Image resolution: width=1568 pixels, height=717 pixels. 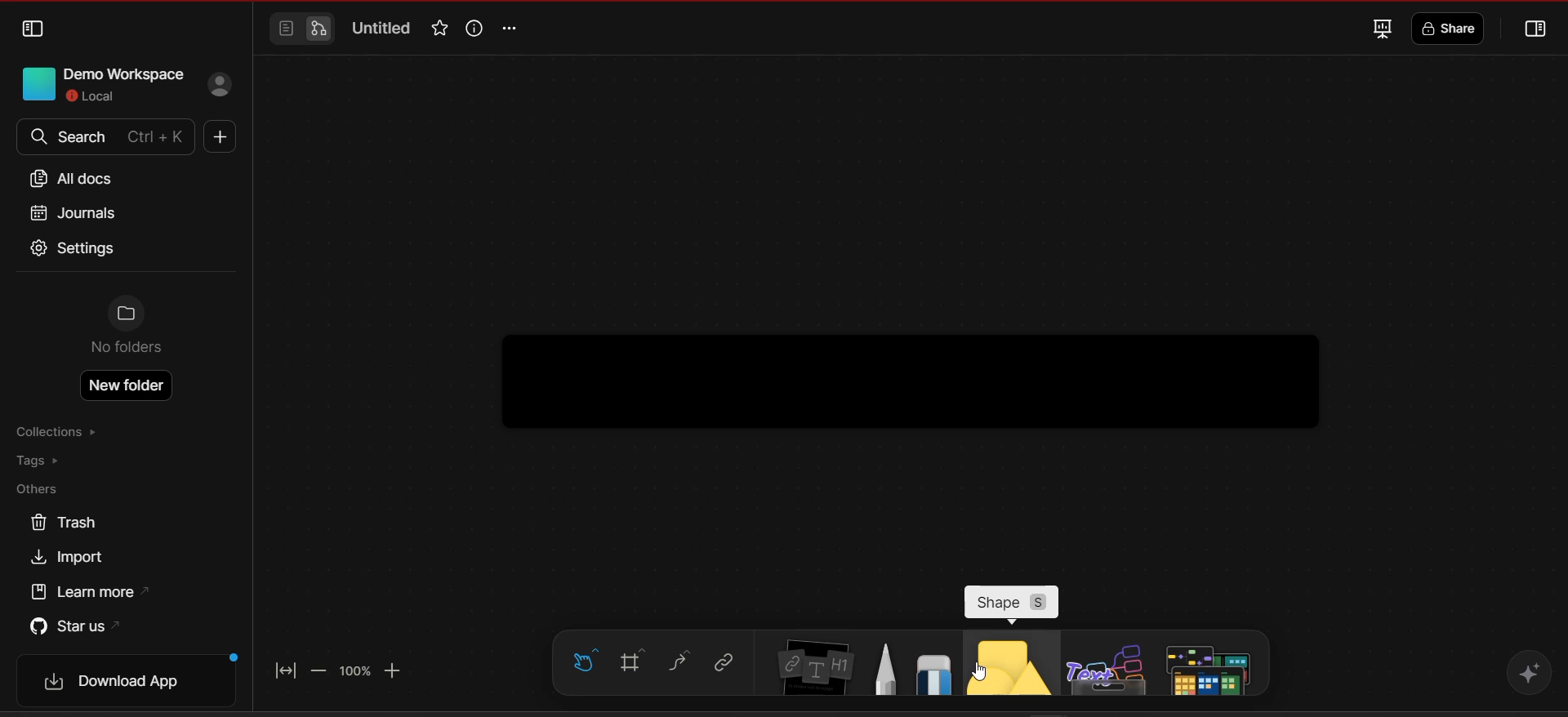 I want to click on others, so click(x=45, y=490).